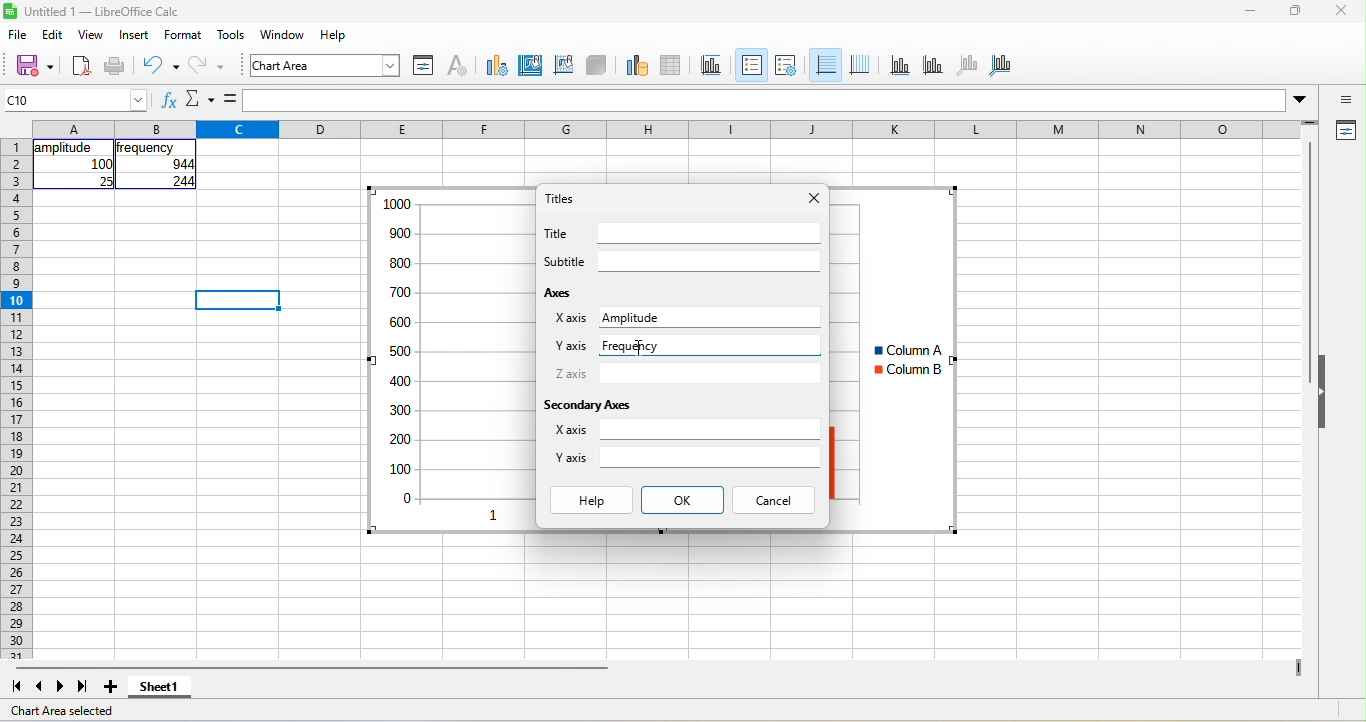  I want to click on print, so click(115, 67).